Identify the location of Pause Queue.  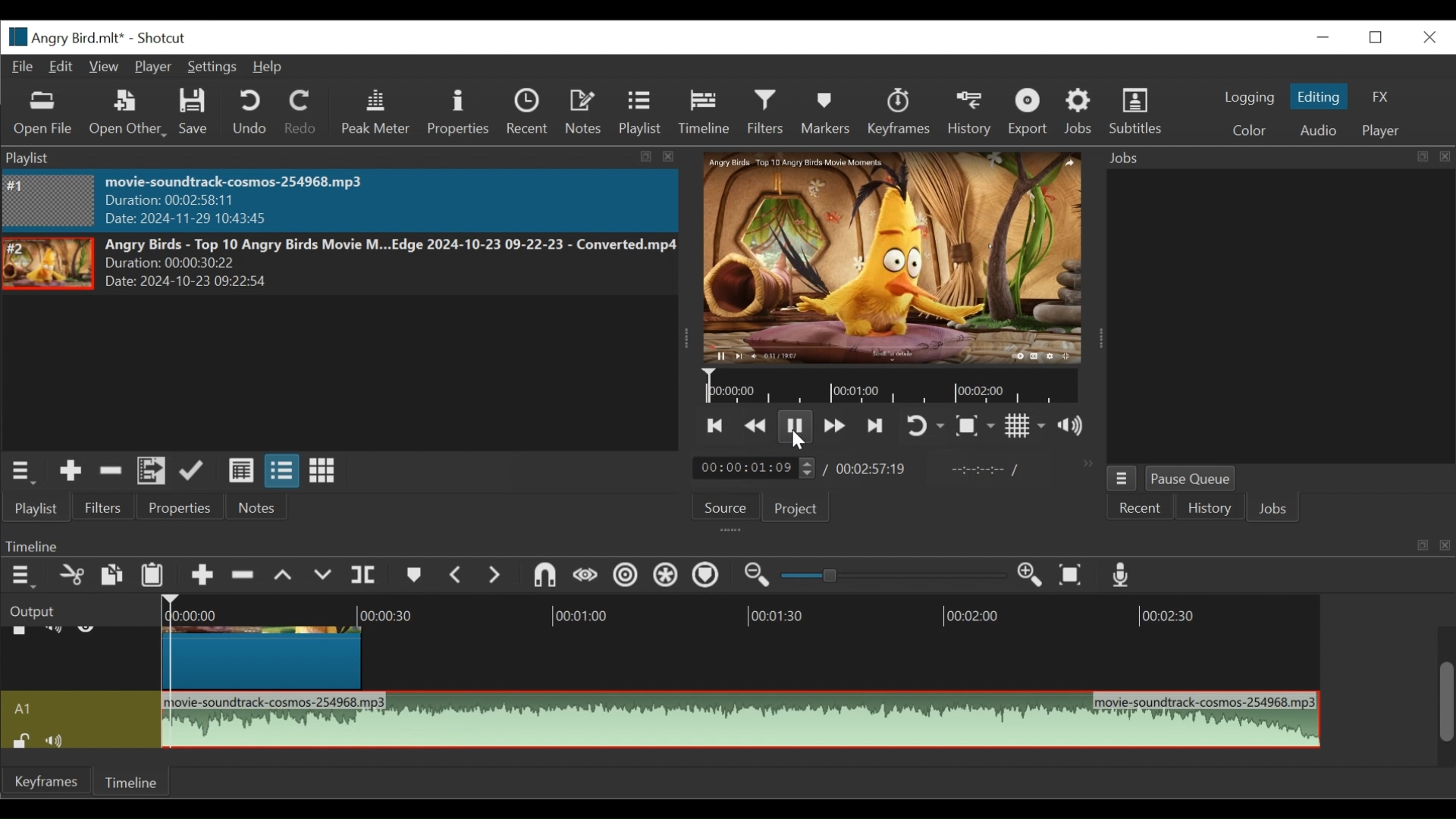
(1195, 479).